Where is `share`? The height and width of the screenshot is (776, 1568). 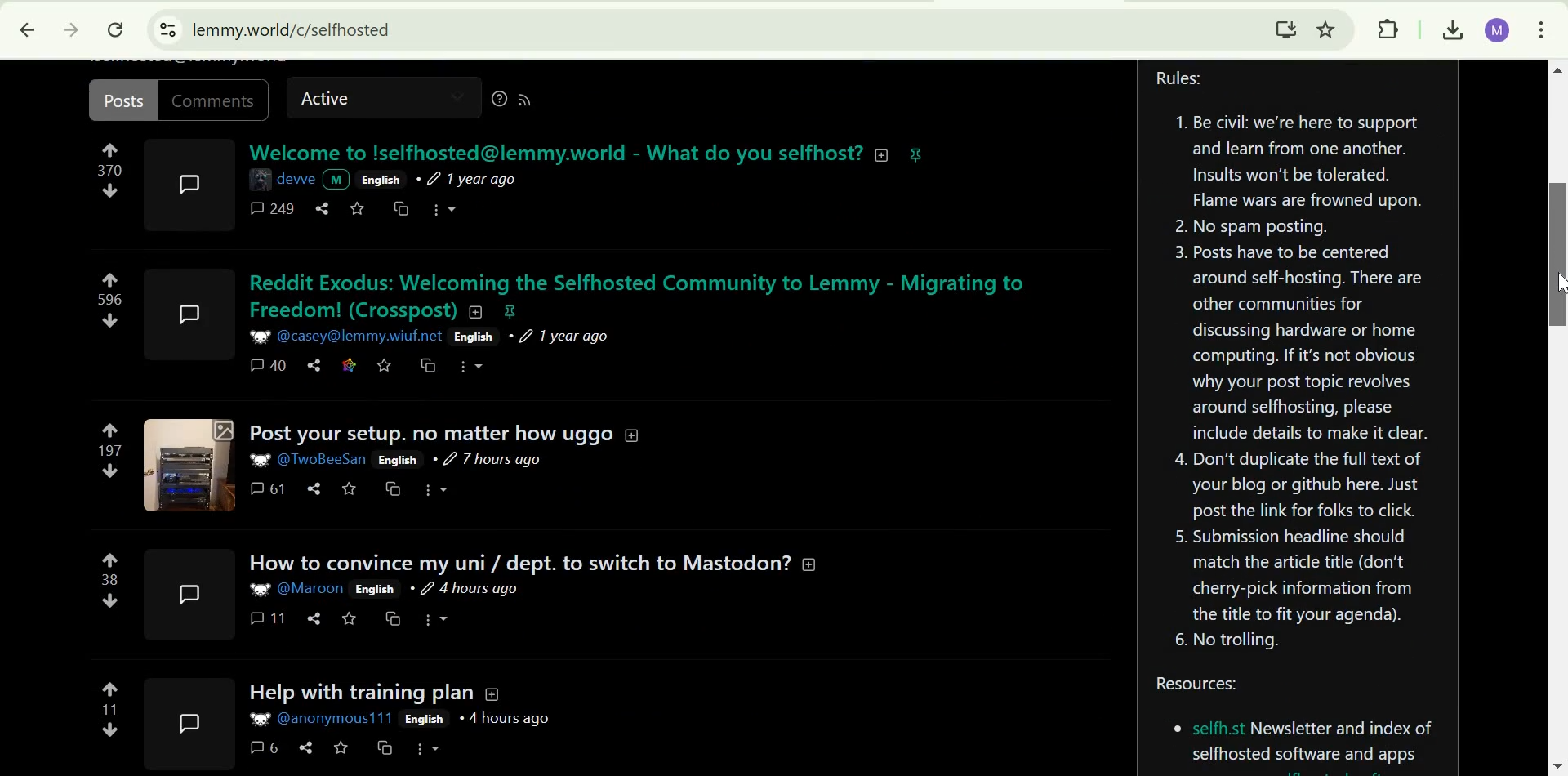 share is located at coordinates (305, 747).